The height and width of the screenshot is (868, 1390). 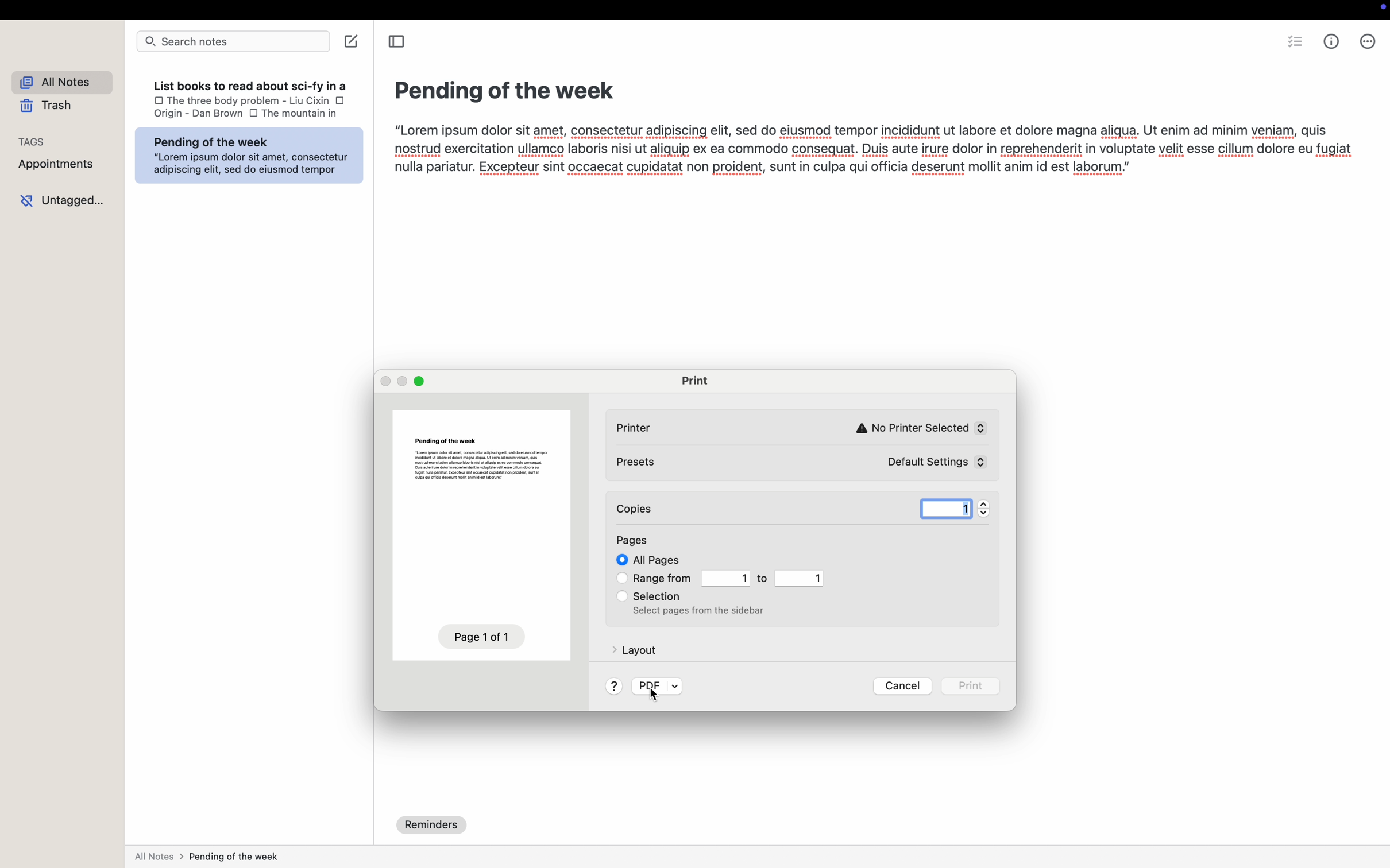 What do you see at coordinates (233, 42) in the screenshot?
I see `search bar` at bounding box center [233, 42].